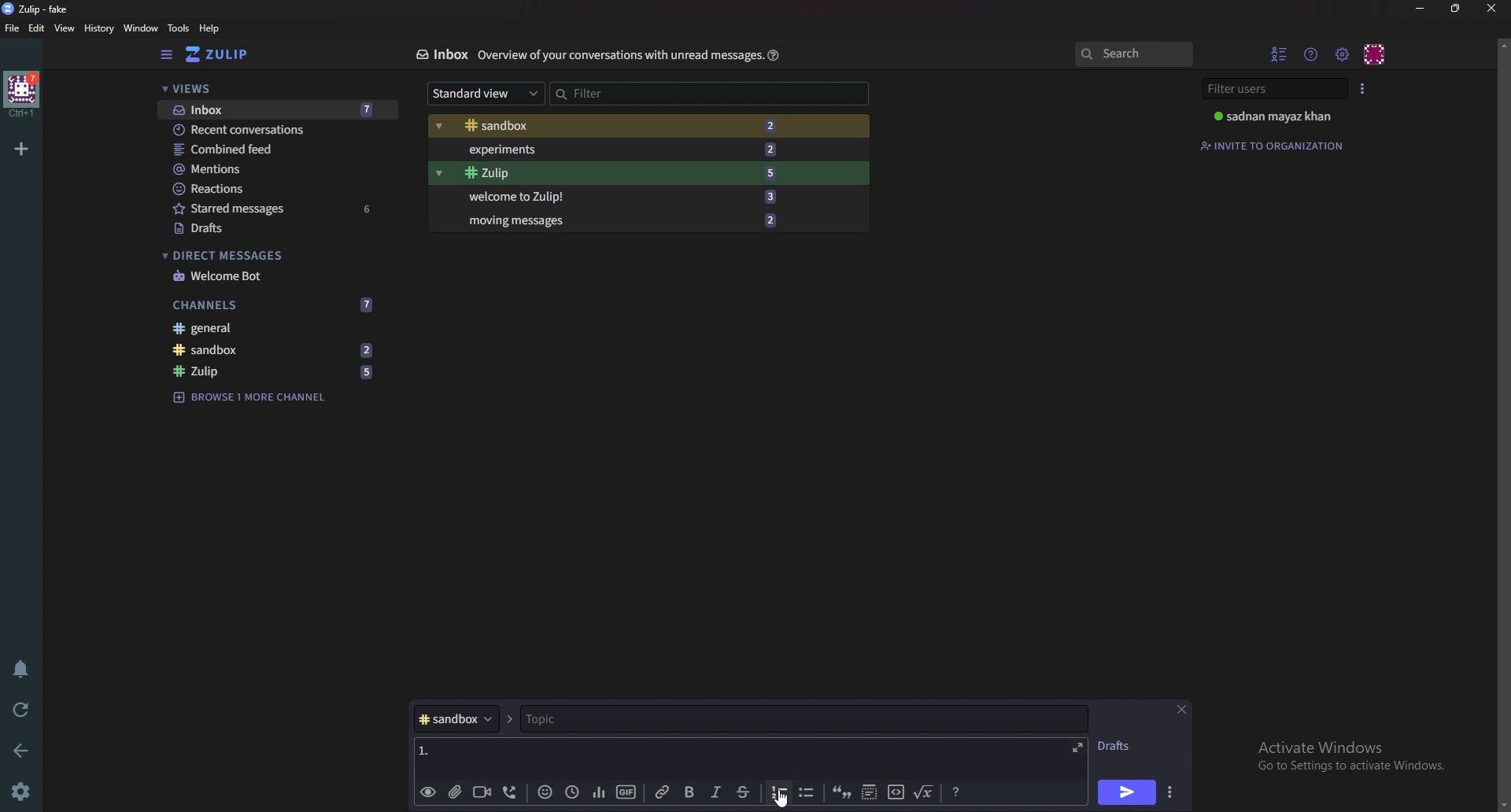 The height and width of the screenshot is (812, 1511). What do you see at coordinates (784, 799) in the screenshot?
I see `Cursor` at bounding box center [784, 799].